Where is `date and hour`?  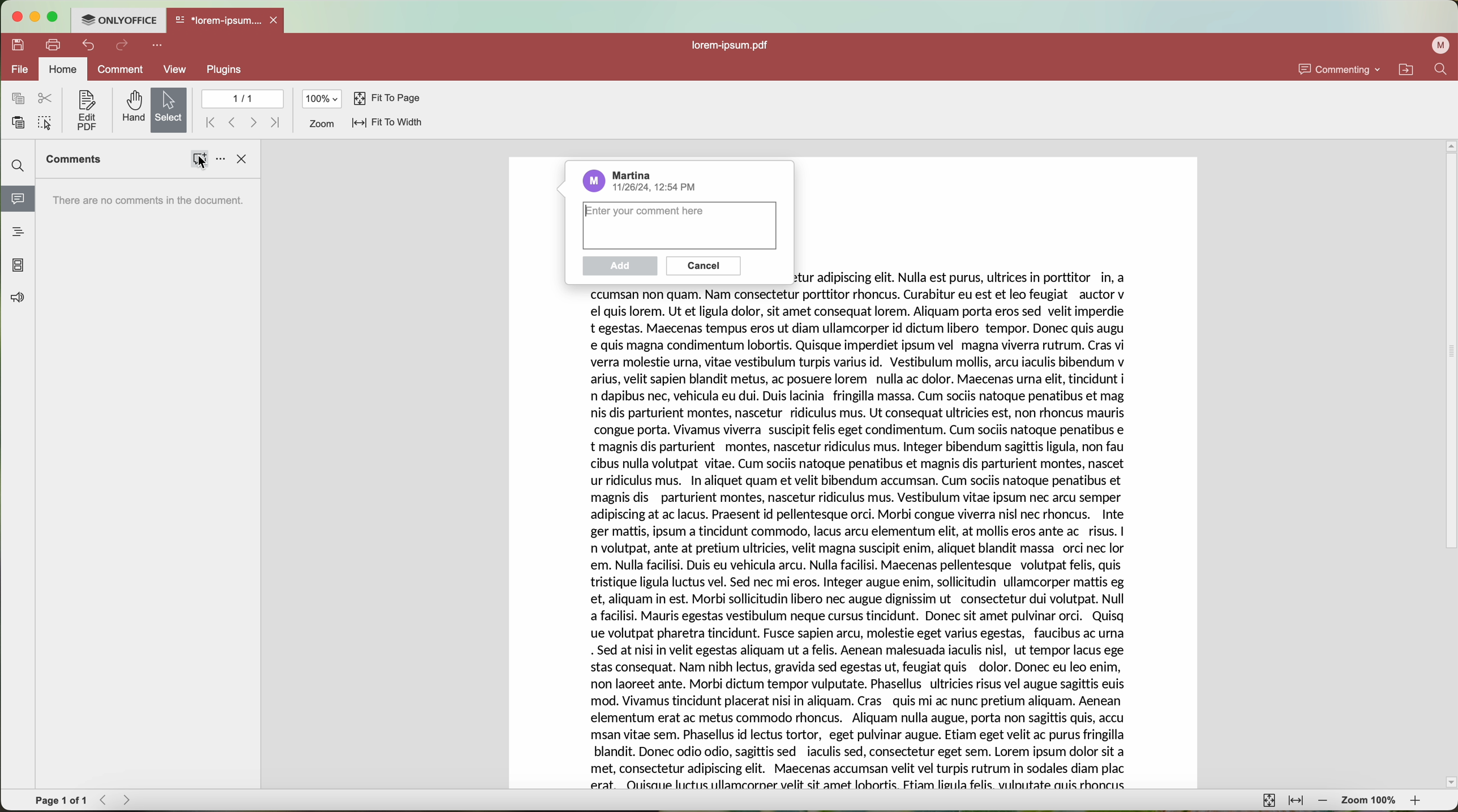 date and hour is located at coordinates (659, 189).